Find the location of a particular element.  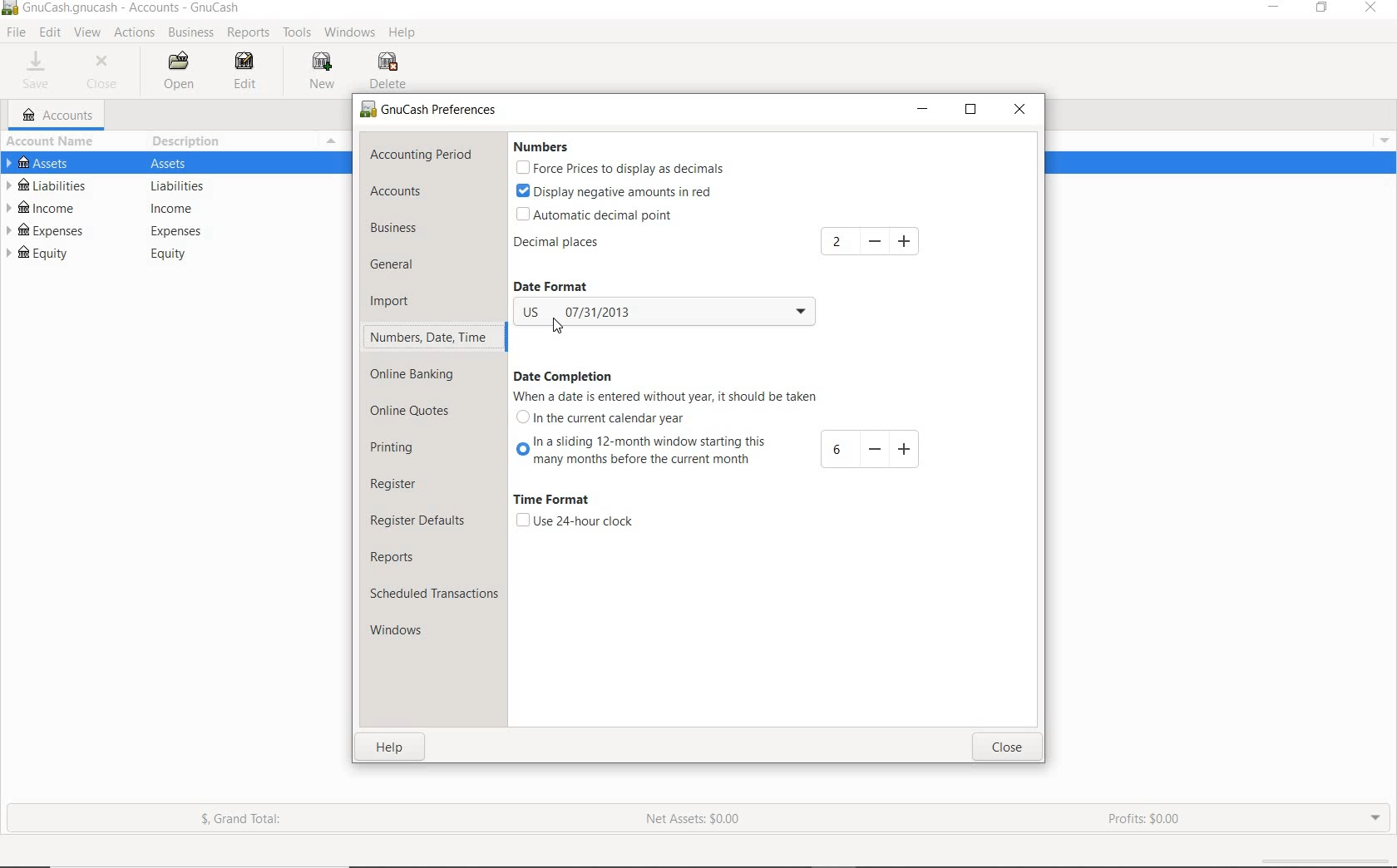

DESCRIPTION is located at coordinates (189, 141).